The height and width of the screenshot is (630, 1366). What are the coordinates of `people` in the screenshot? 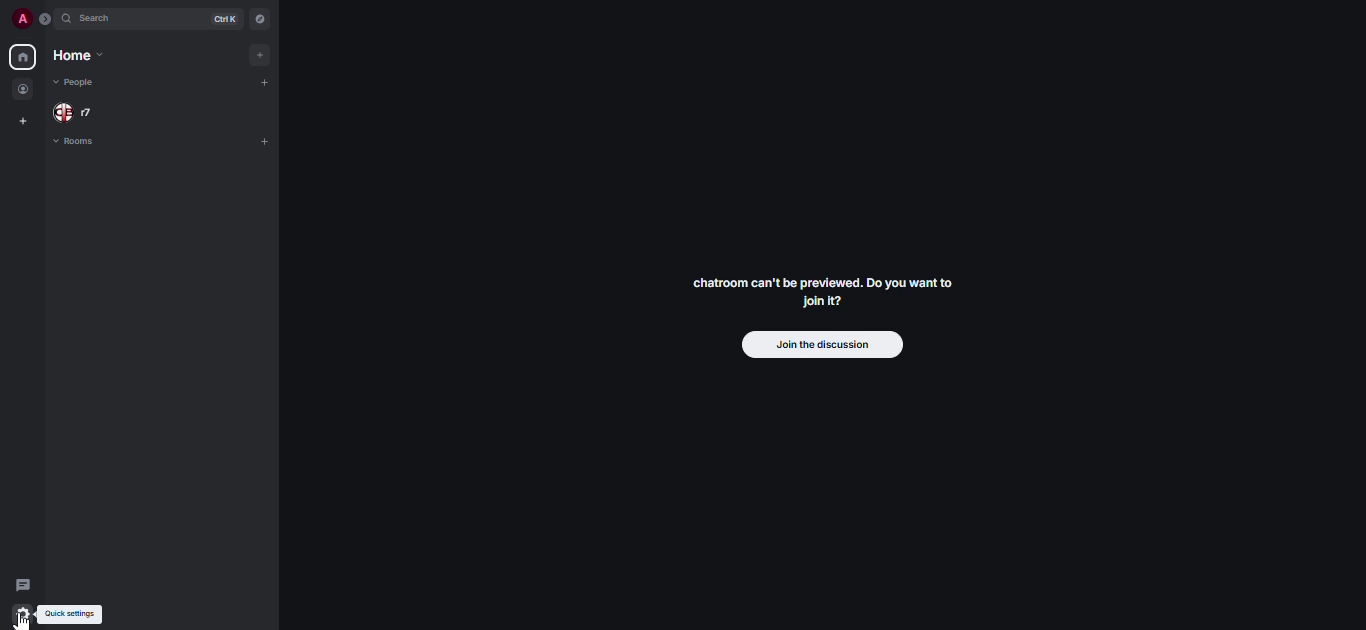 It's located at (83, 84).